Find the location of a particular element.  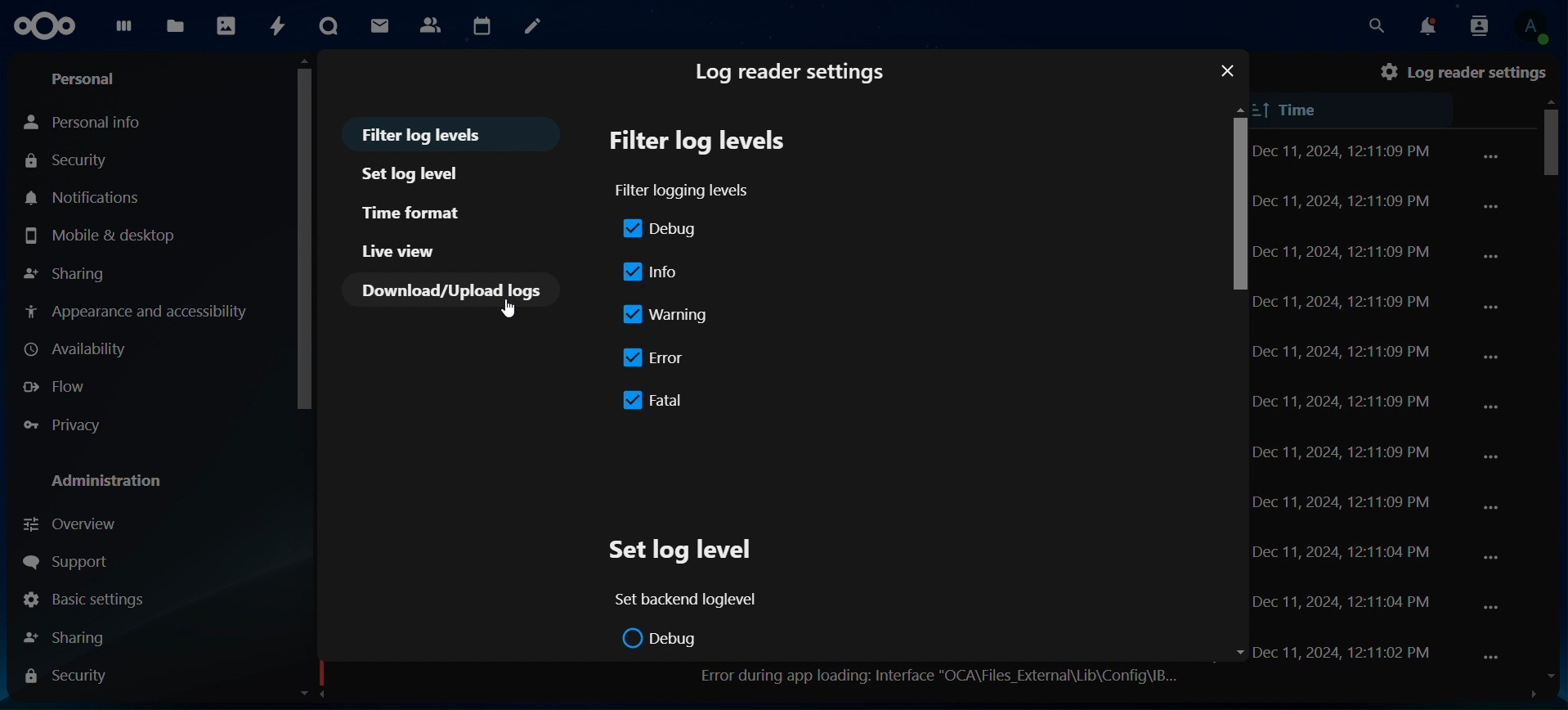

... is located at coordinates (1494, 456).